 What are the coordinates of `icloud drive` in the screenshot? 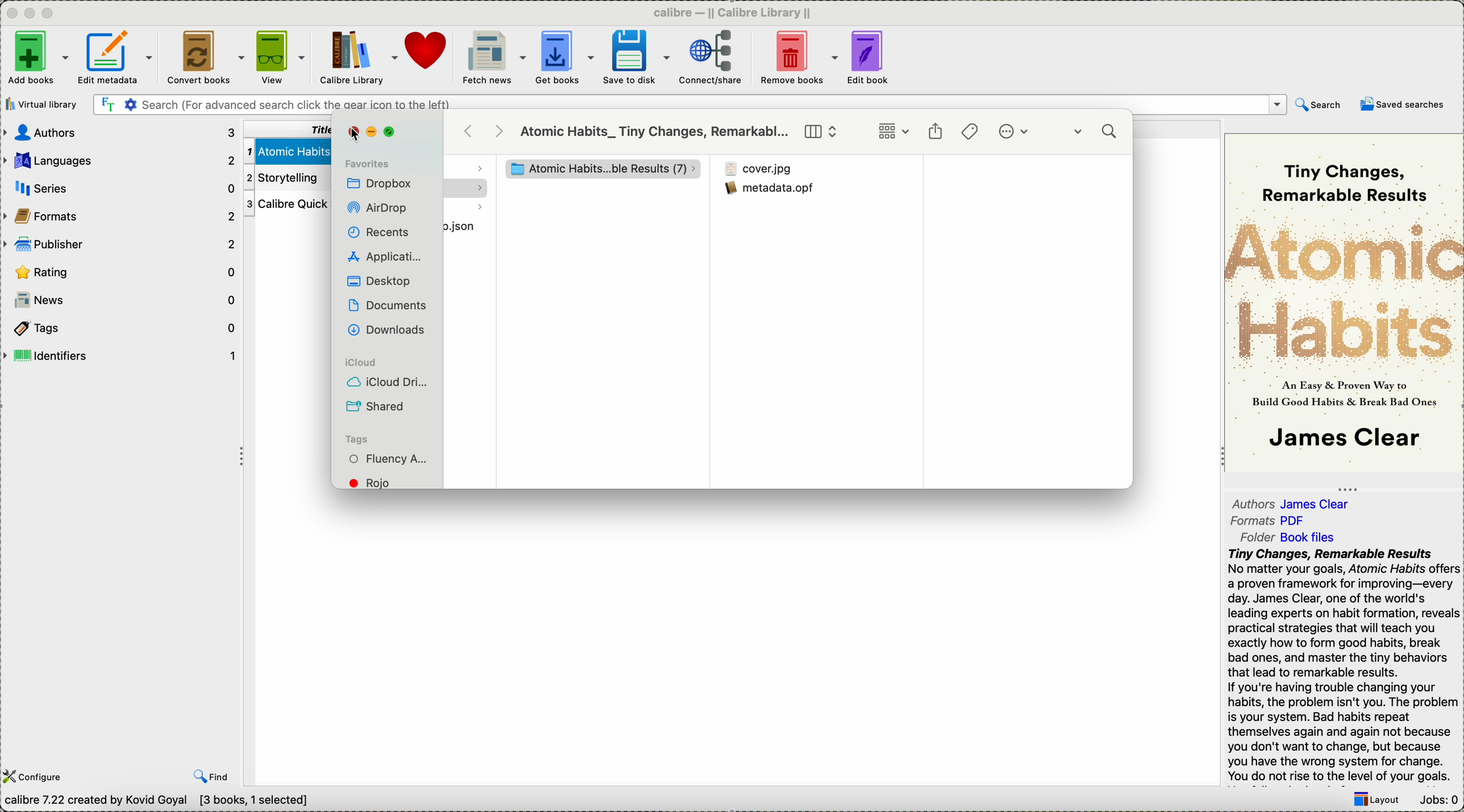 It's located at (388, 384).